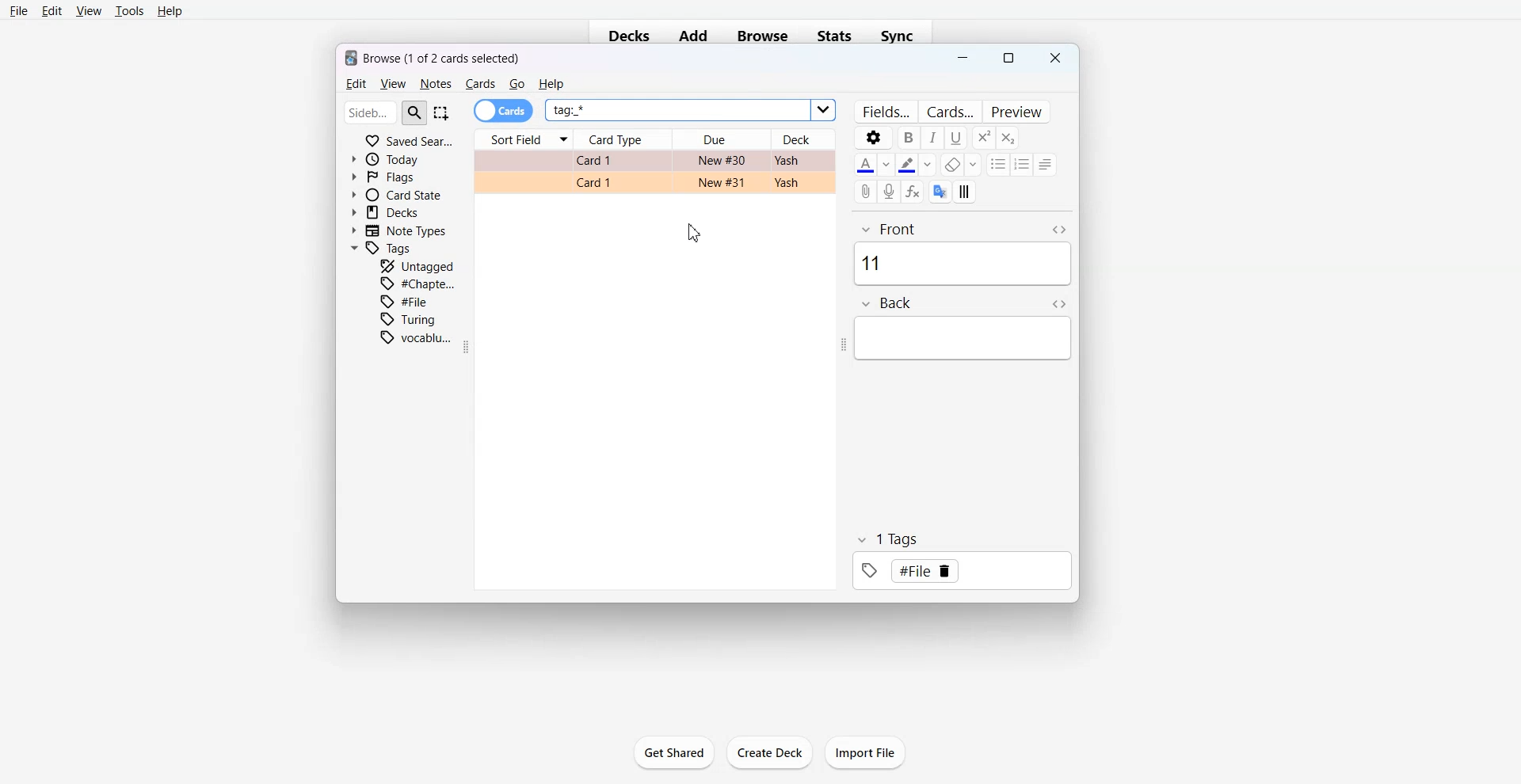 Image resolution: width=1521 pixels, height=784 pixels. What do you see at coordinates (722, 139) in the screenshot?
I see `Due` at bounding box center [722, 139].